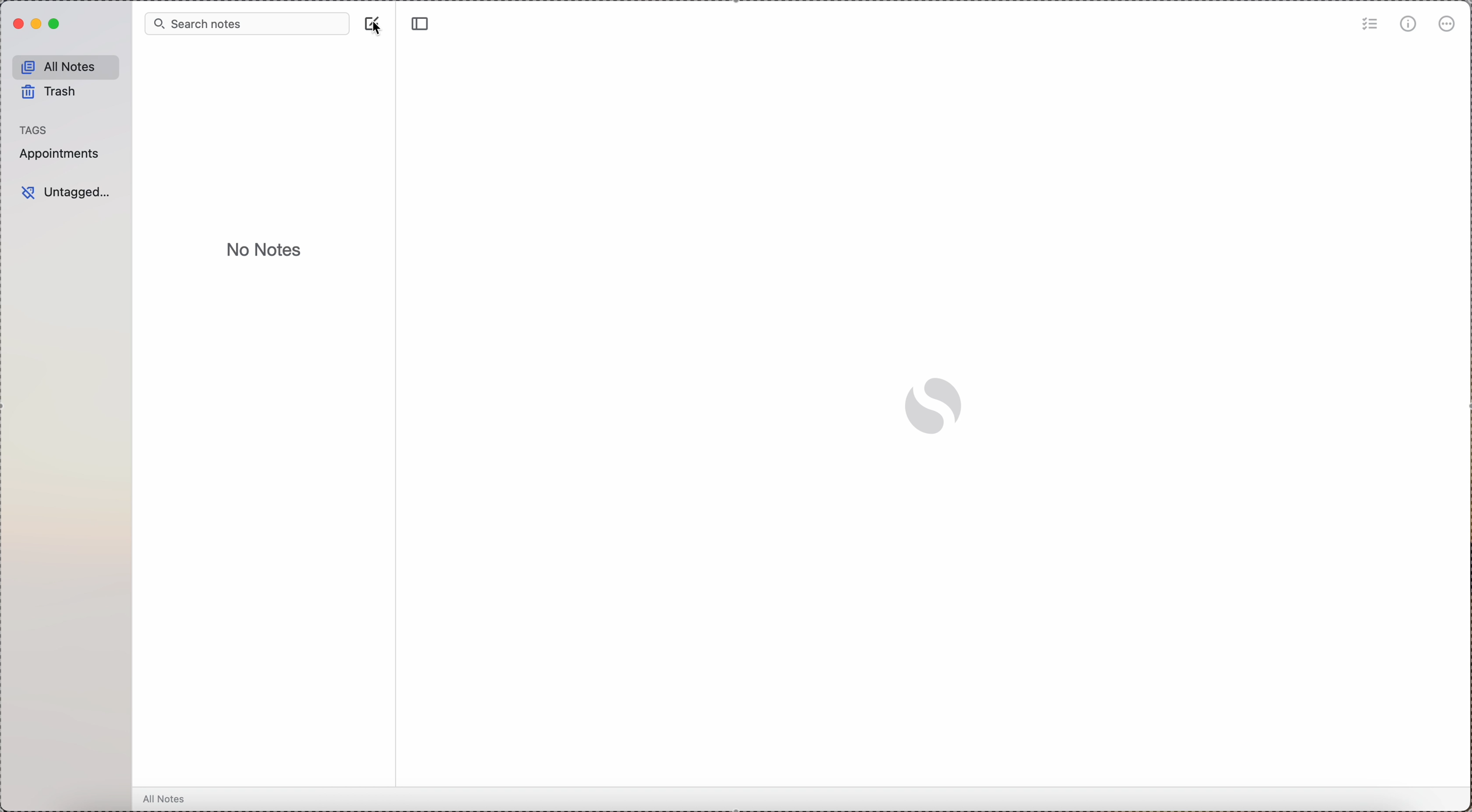 This screenshot has height=812, width=1472. What do you see at coordinates (38, 25) in the screenshot?
I see `minimize Simplenote` at bounding box center [38, 25].